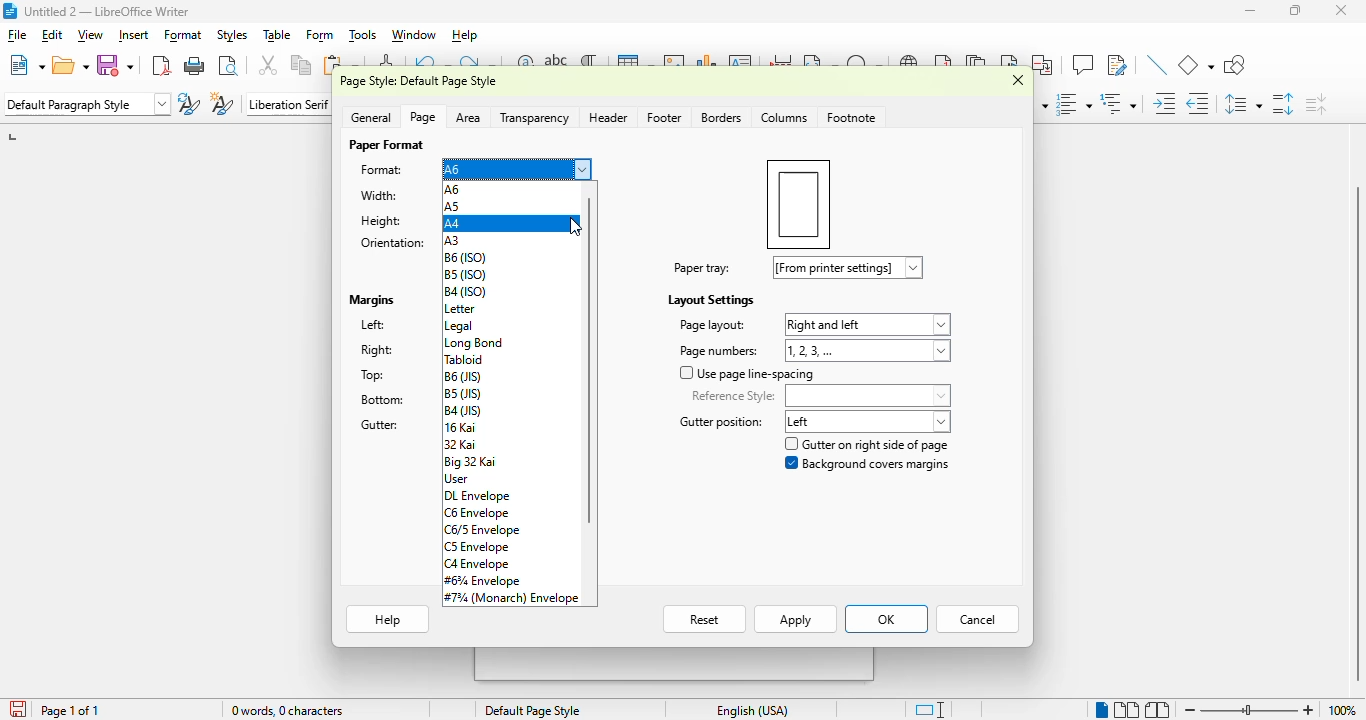 This screenshot has height=720, width=1366. What do you see at coordinates (230, 66) in the screenshot?
I see `toggle print preview` at bounding box center [230, 66].